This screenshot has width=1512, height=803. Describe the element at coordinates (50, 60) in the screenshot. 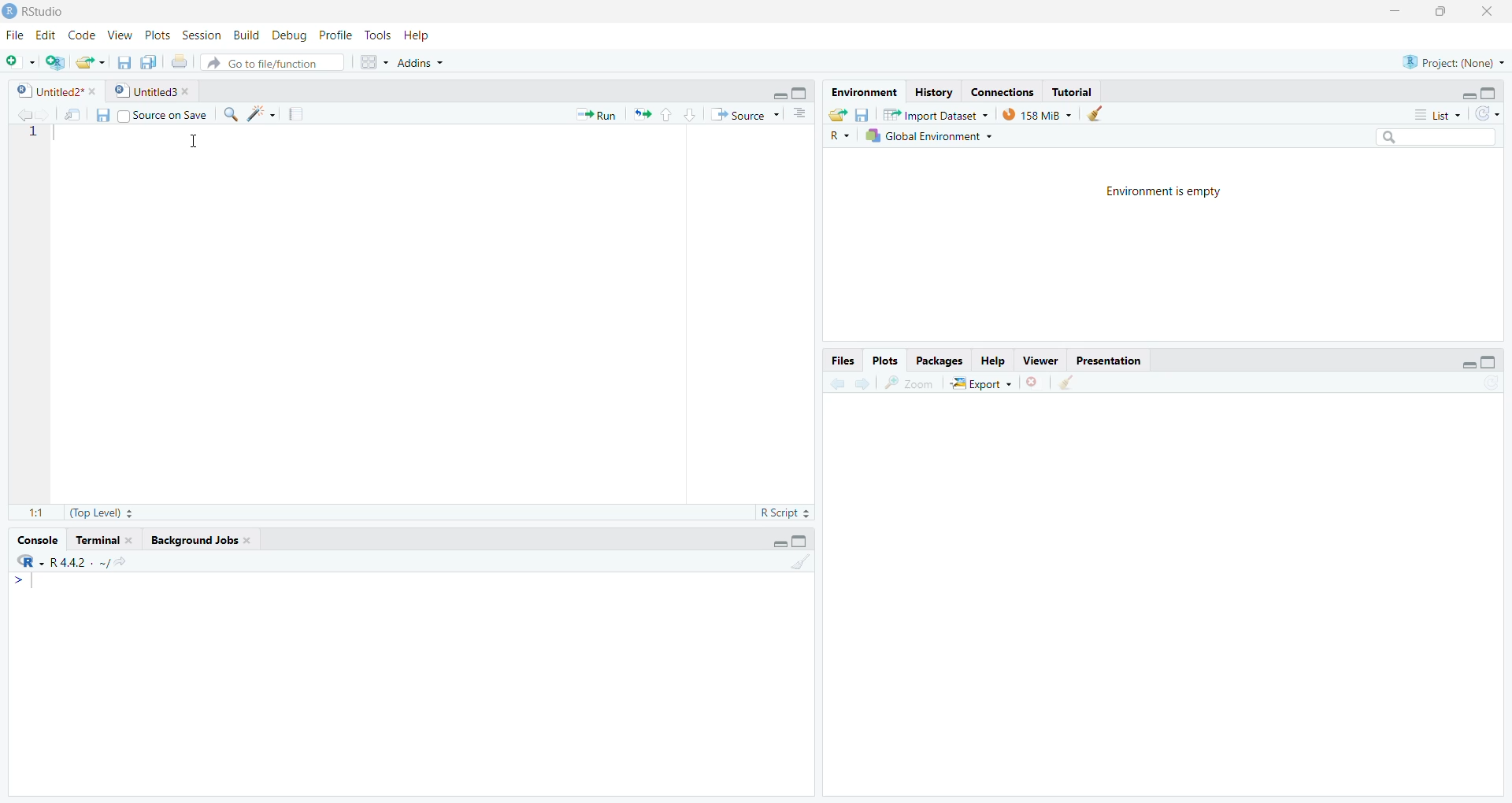

I see `create project` at that location.